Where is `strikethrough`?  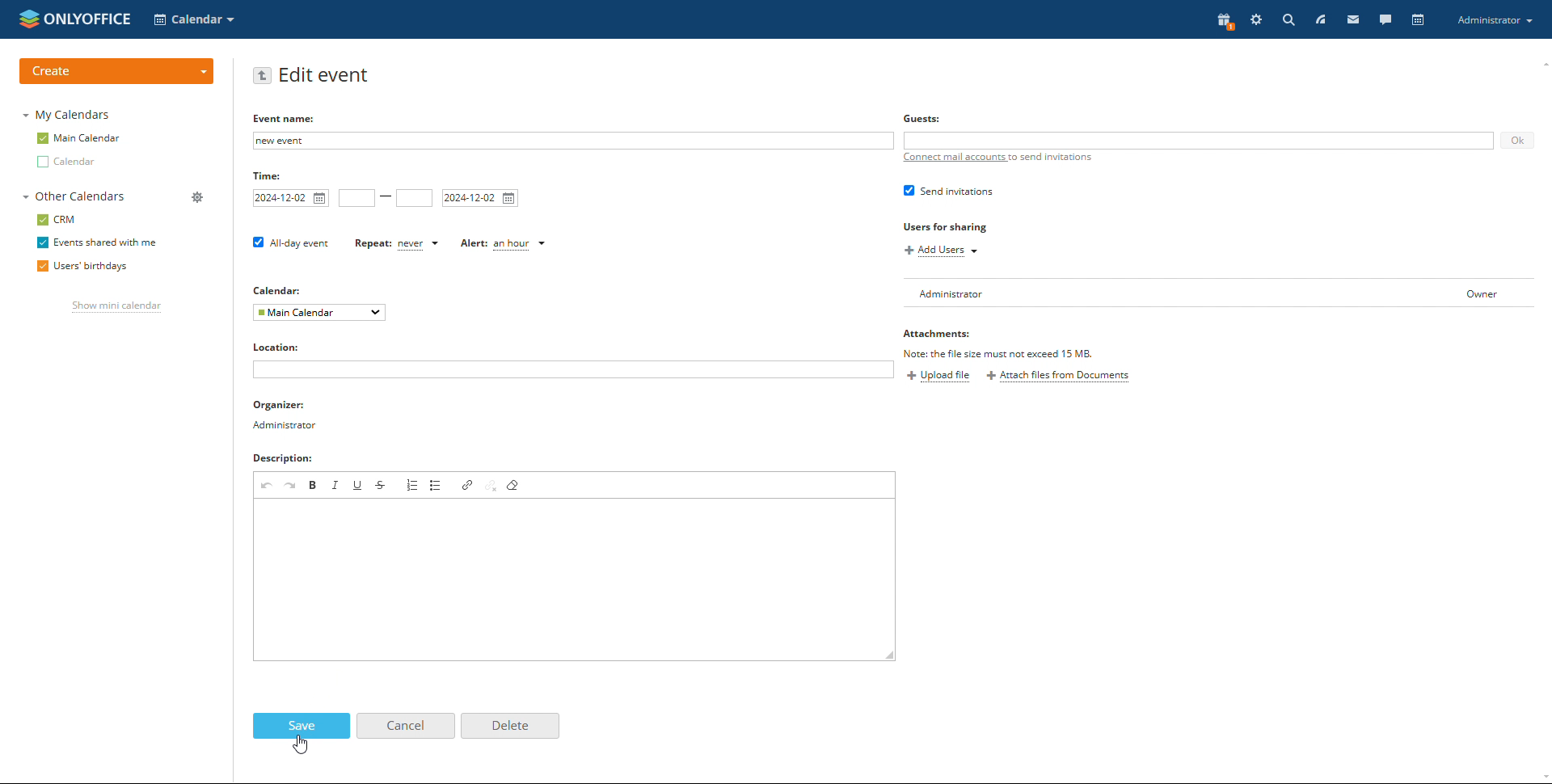
strikethrough is located at coordinates (381, 484).